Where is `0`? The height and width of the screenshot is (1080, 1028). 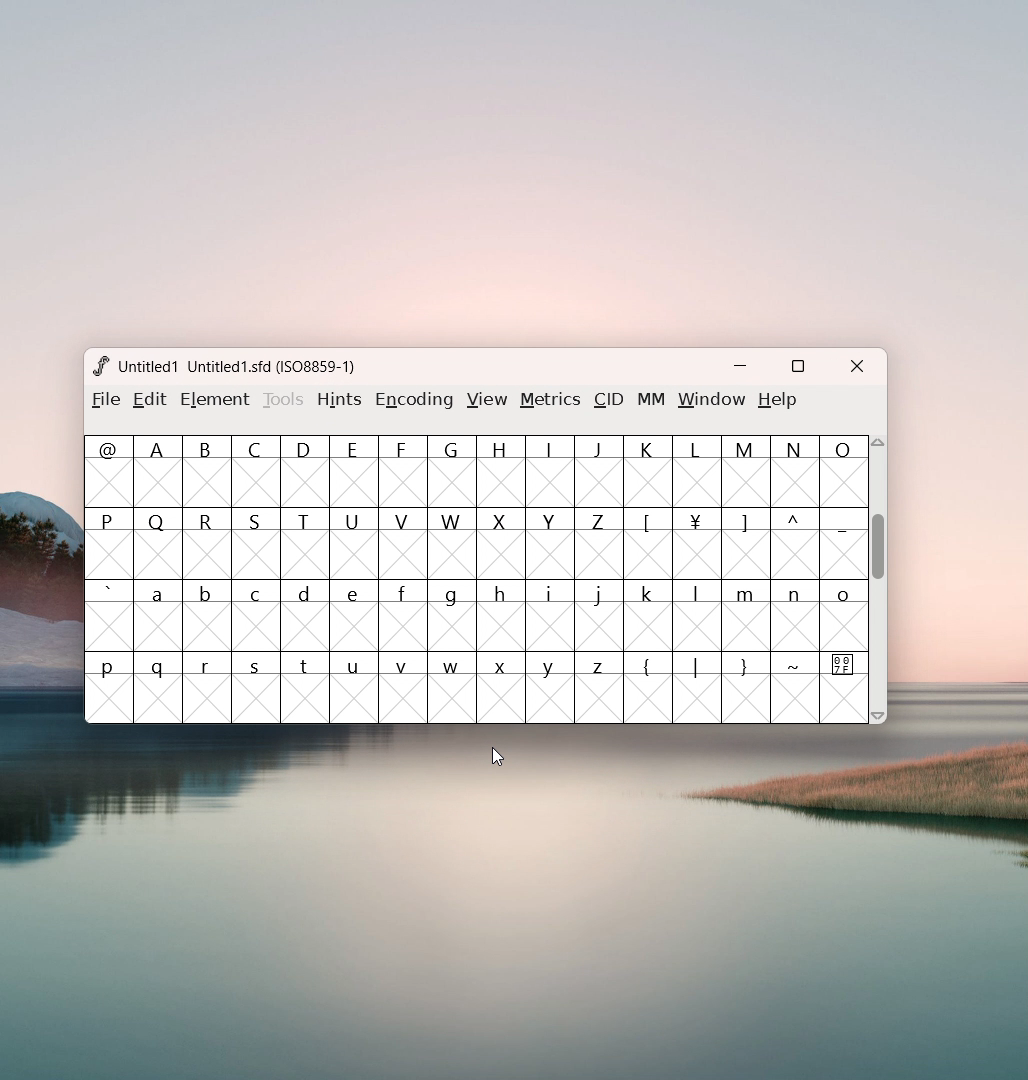 0 is located at coordinates (845, 616).